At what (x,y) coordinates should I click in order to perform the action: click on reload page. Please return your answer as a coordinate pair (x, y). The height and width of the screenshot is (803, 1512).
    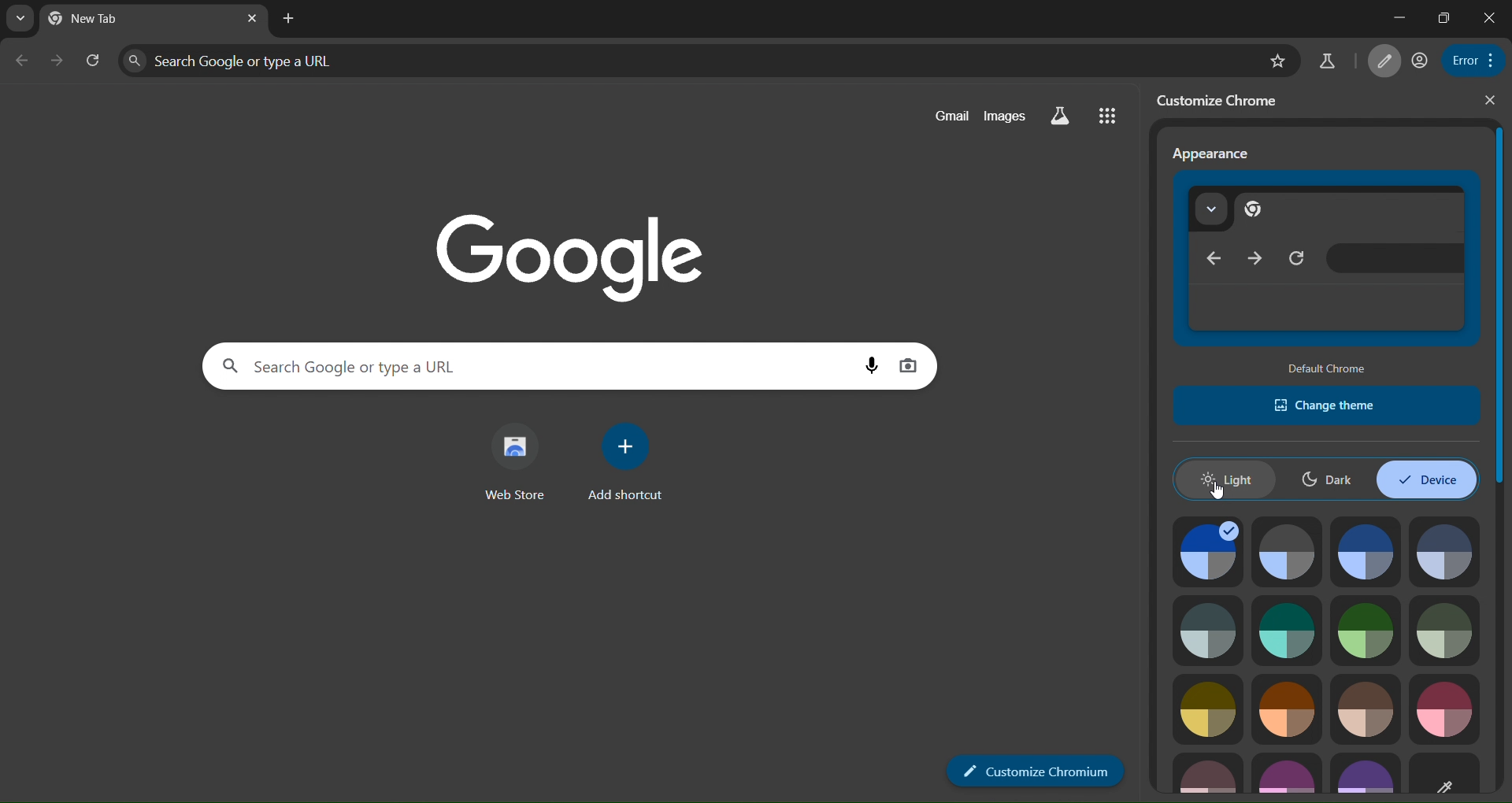
    Looking at the image, I should click on (93, 61).